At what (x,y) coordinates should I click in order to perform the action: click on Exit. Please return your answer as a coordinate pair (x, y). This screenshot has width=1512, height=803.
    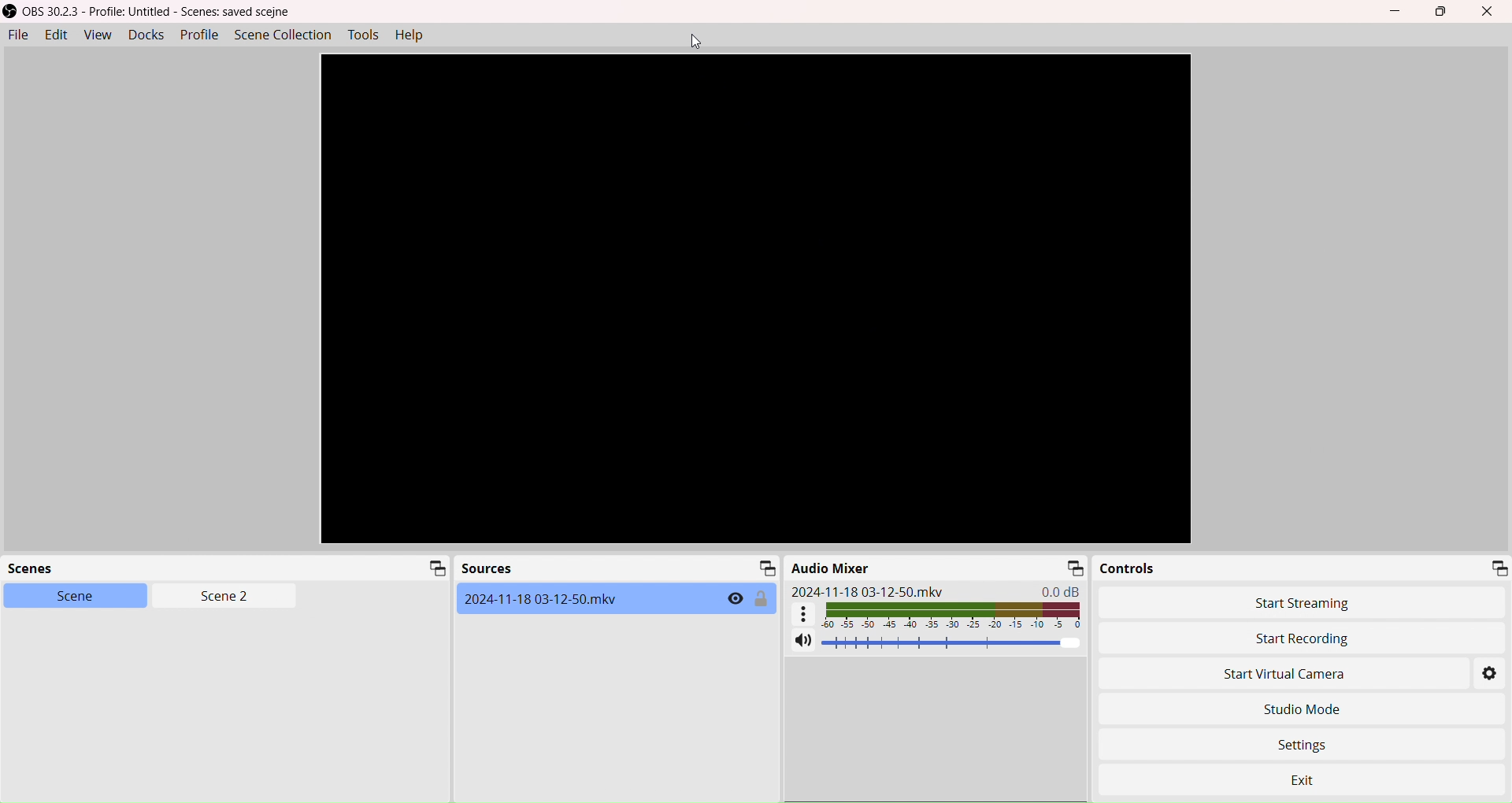
    Looking at the image, I should click on (1321, 775).